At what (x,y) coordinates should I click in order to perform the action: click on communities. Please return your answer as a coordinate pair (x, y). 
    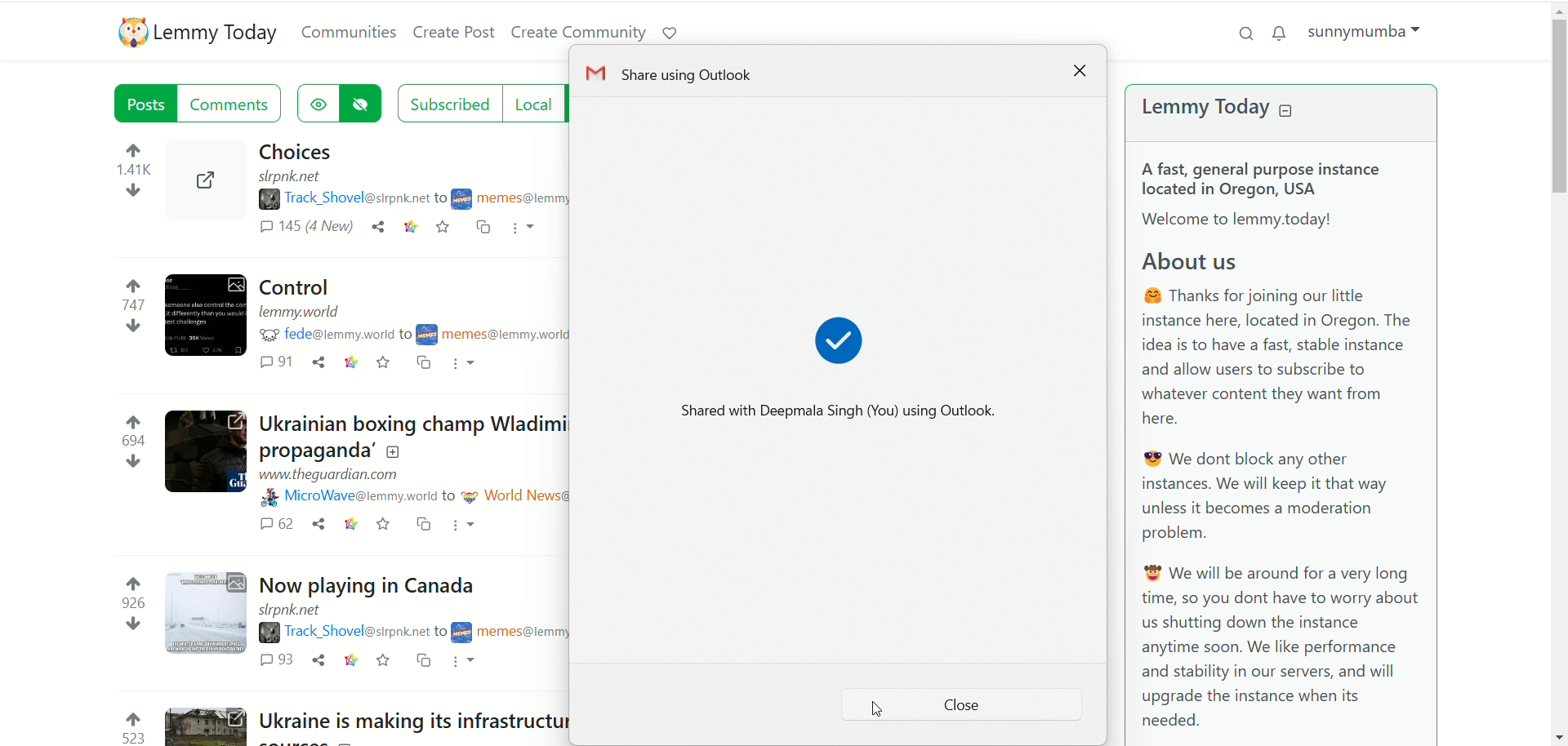
    Looking at the image, I should click on (345, 33).